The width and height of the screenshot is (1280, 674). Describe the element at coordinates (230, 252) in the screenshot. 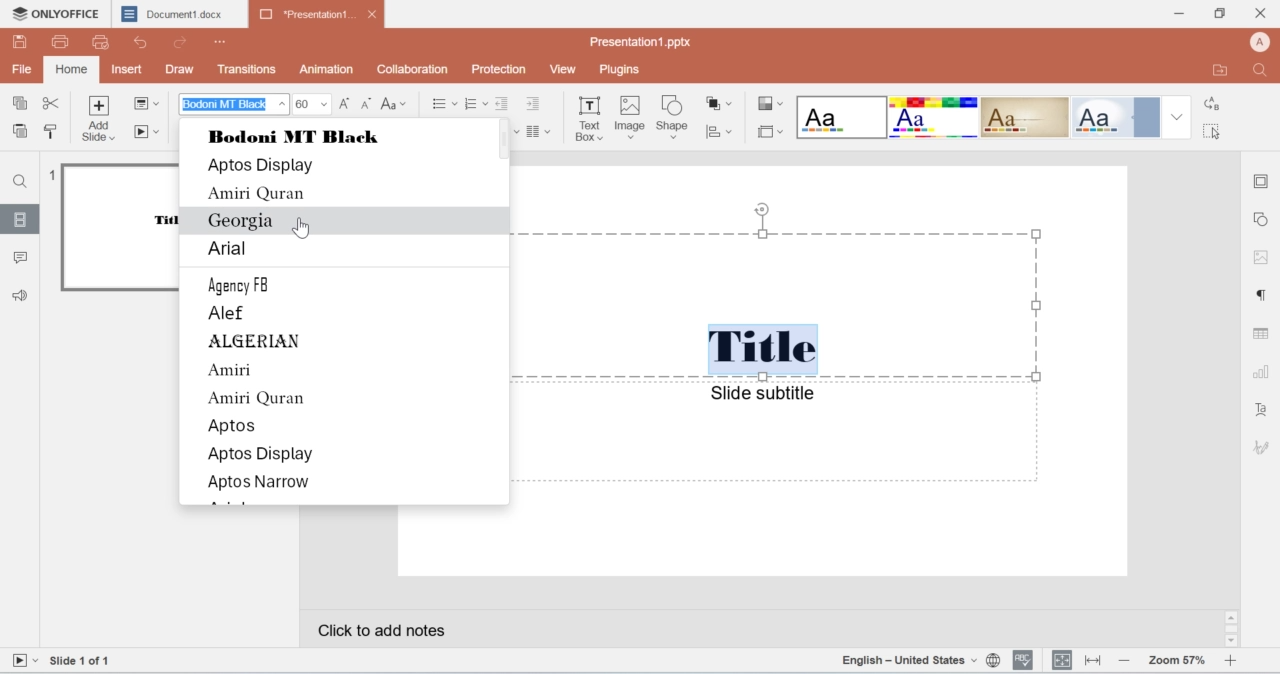

I see `Arial` at that location.